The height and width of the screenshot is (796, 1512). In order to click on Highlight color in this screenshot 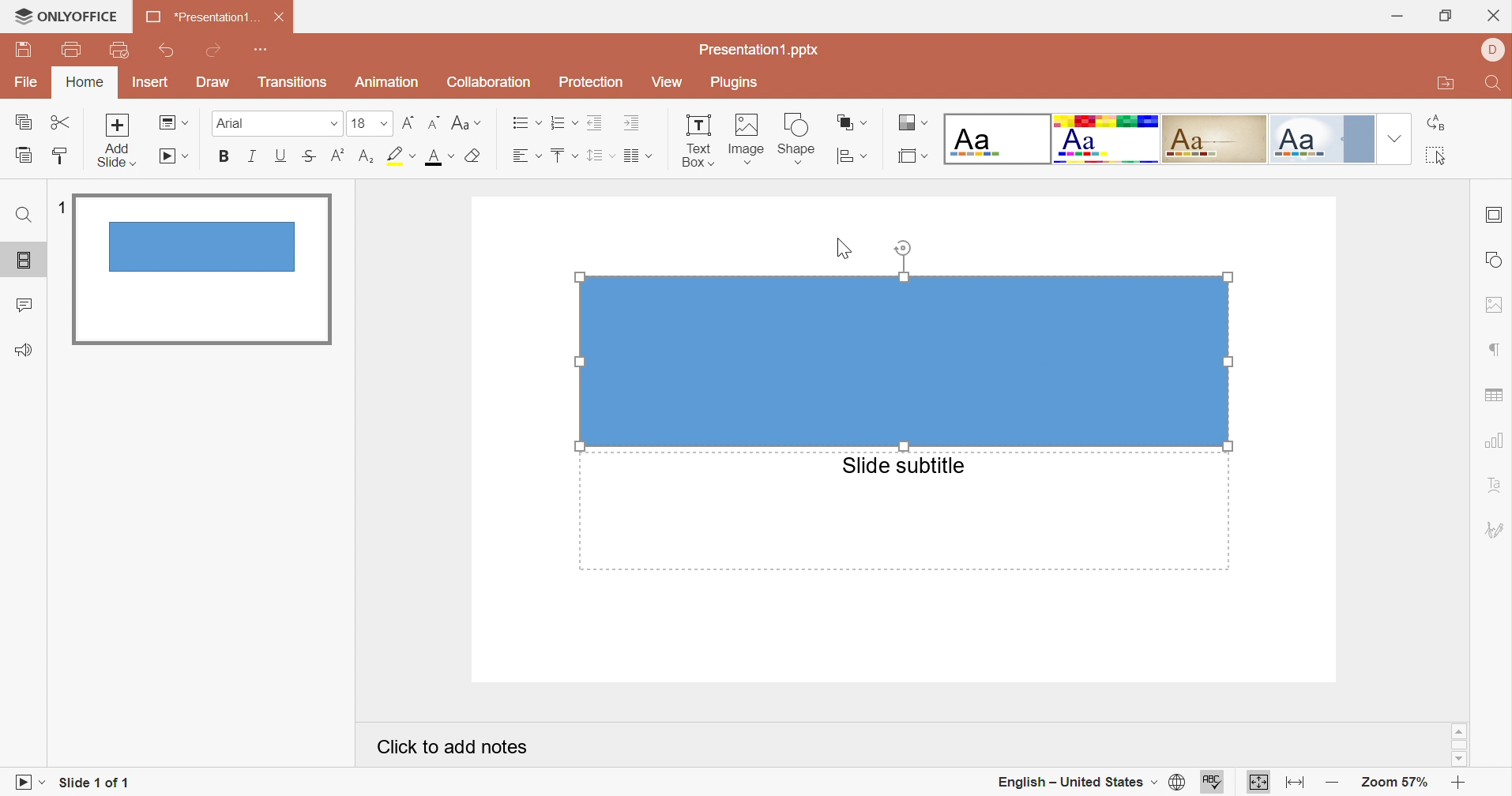, I will do `click(400, 157)`.